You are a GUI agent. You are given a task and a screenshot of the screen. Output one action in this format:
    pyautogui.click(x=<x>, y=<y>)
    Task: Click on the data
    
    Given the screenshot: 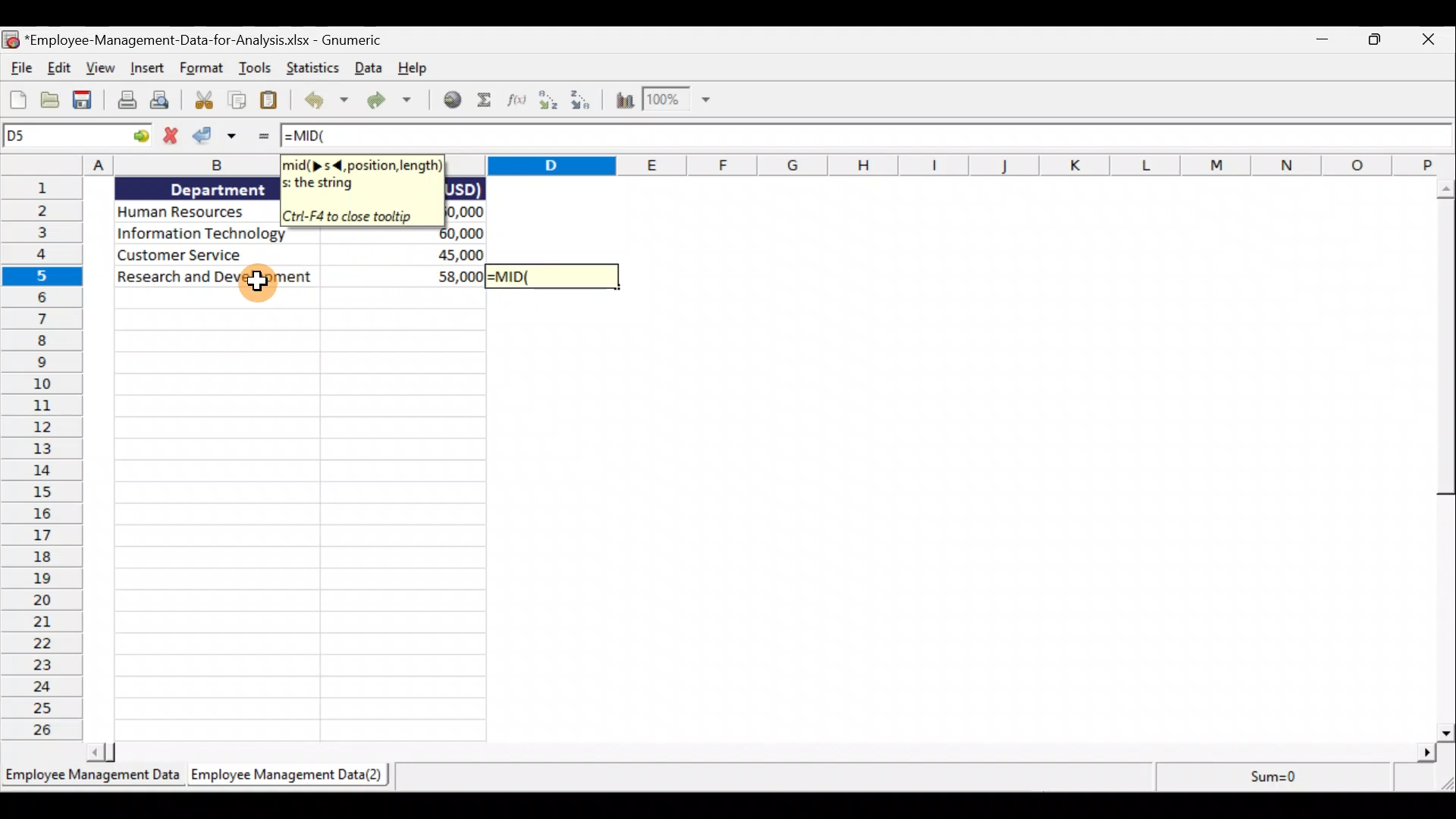 What is the action you would take?
    pyautogui.click(x=196, y=460)
    